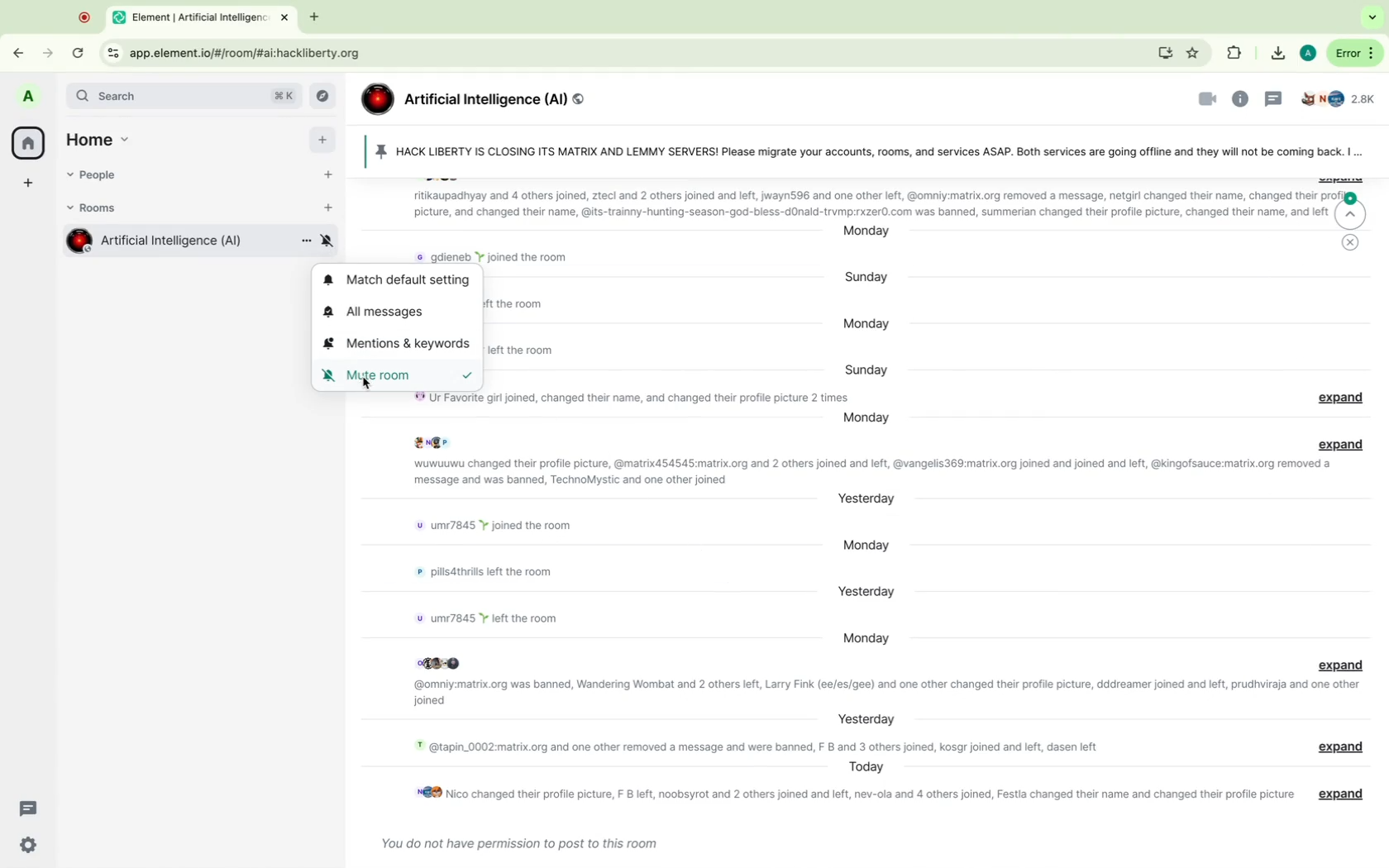  Describe the element at coordinates (496, 259) in the screenshot. I see `message` at that location.